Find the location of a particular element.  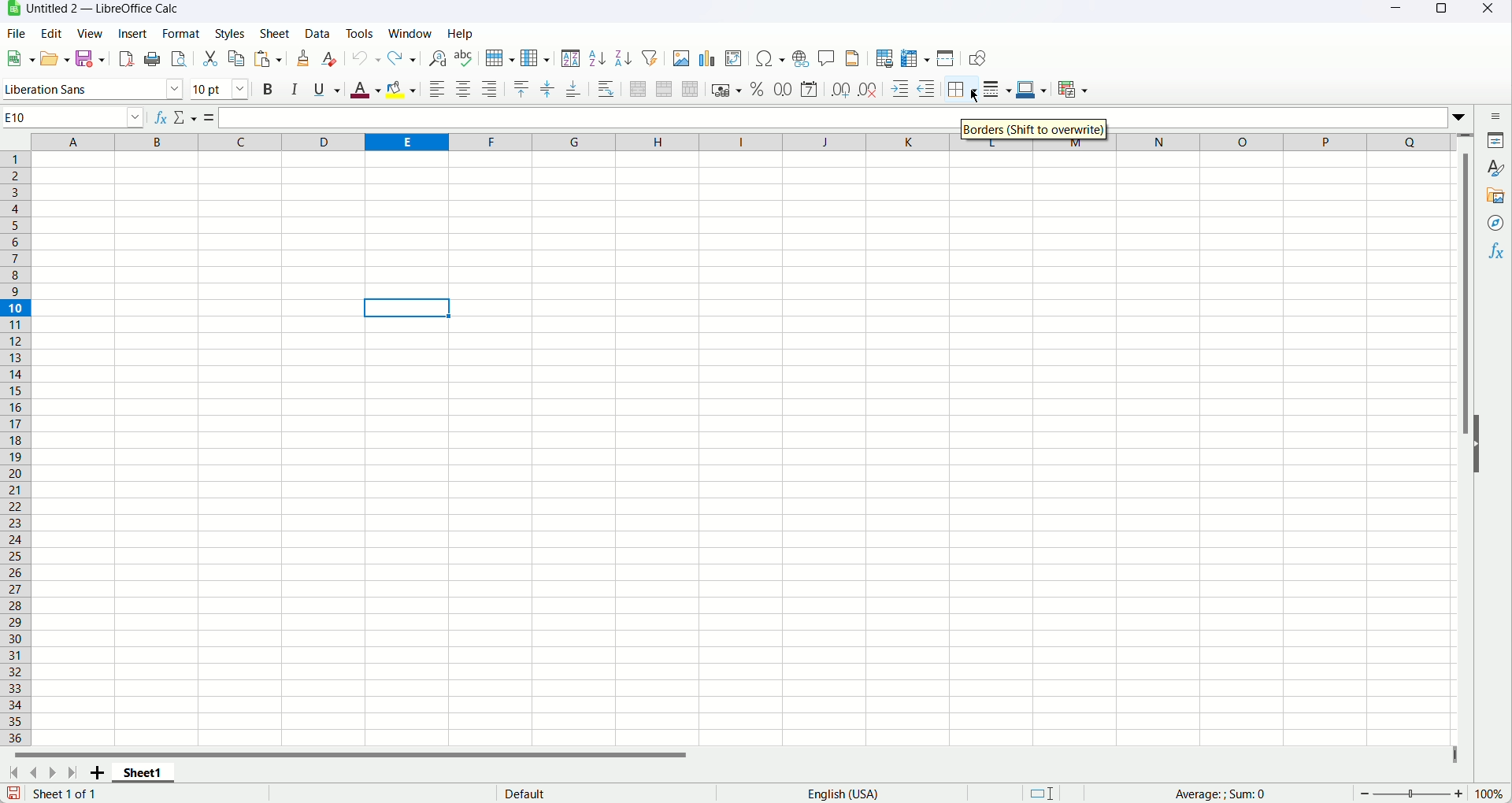

Split window is located at coordinates (947, 58).